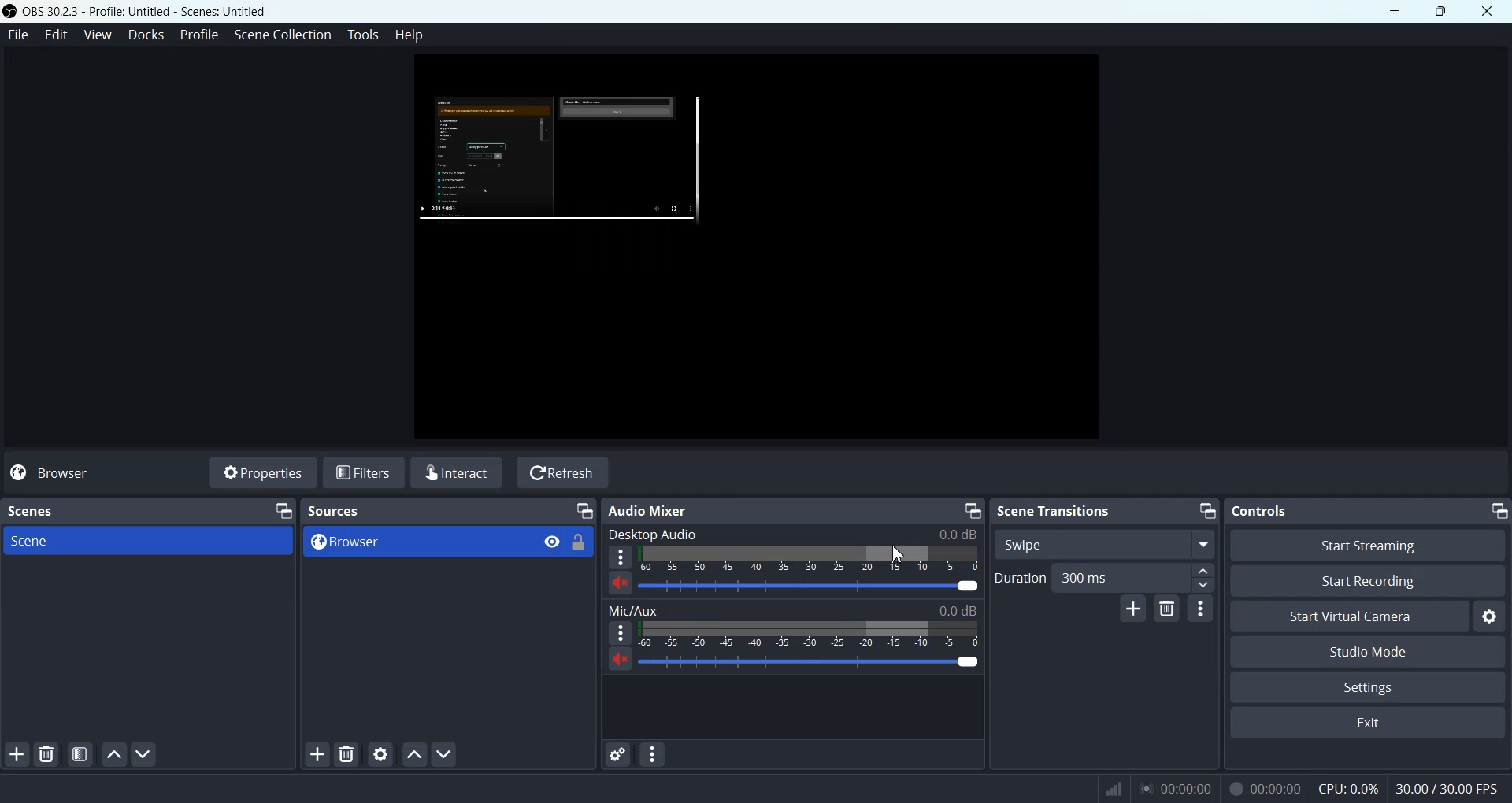 The width and height of the screenshot is (1512, 803). Describe the element at coordinates (562, 472) in the screenshot. I see `Refresh` at that location.